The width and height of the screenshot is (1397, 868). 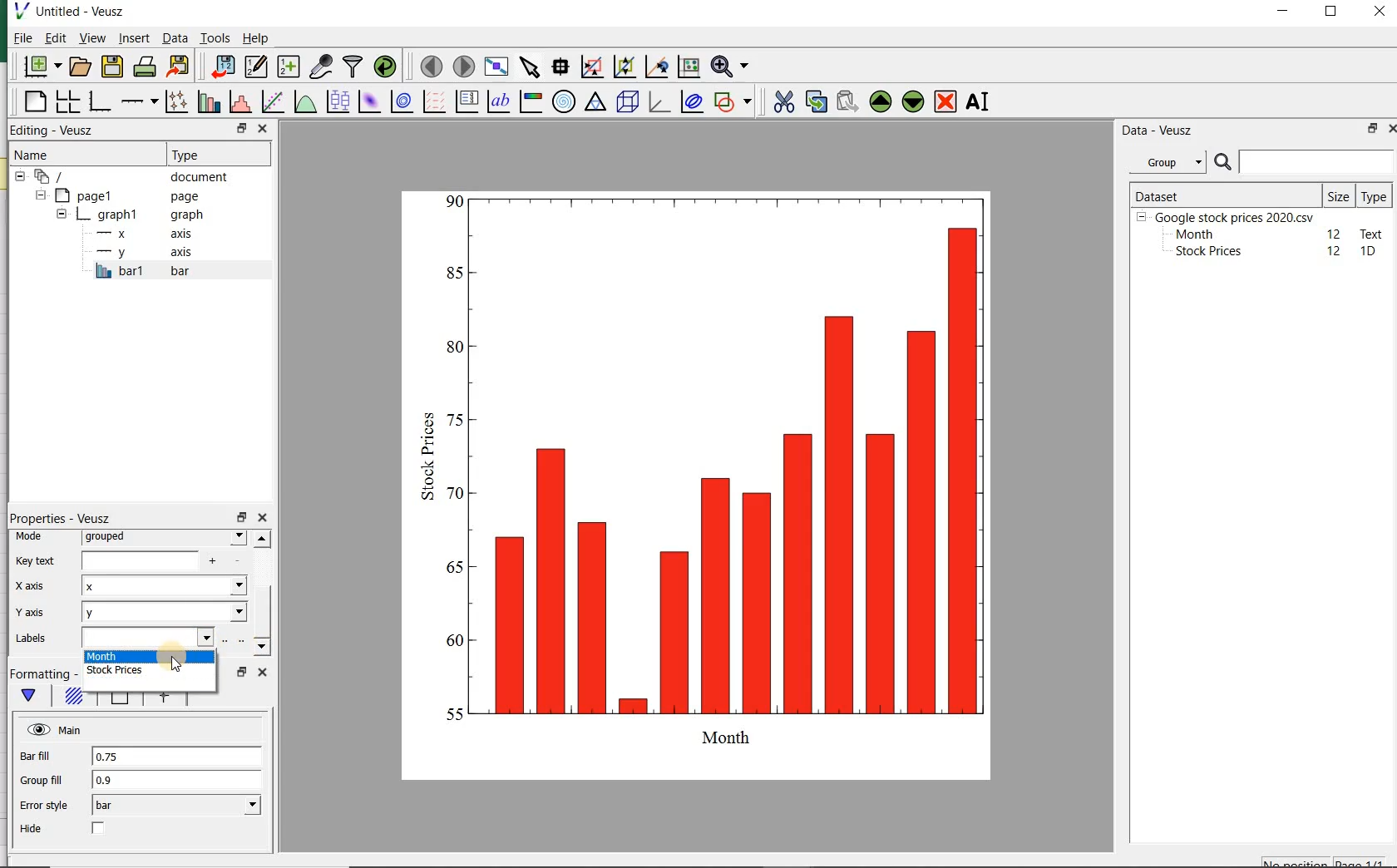 What do you see at coordinates (258, 40) in the screenshot?
I see `Help` at bounding box center [258, 40].